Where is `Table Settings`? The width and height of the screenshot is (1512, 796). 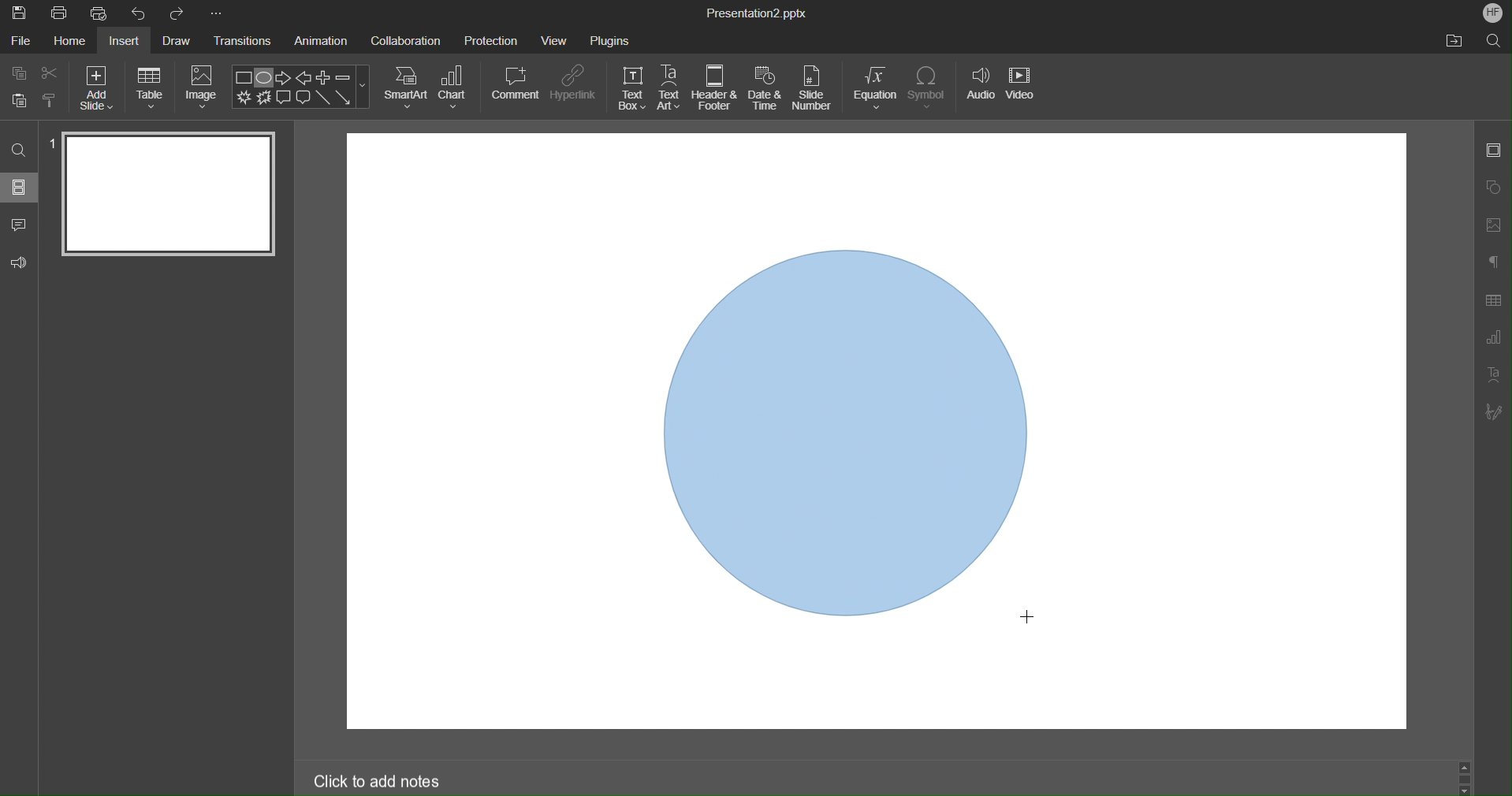 Table Settings is located at coordinates (1492, 300).